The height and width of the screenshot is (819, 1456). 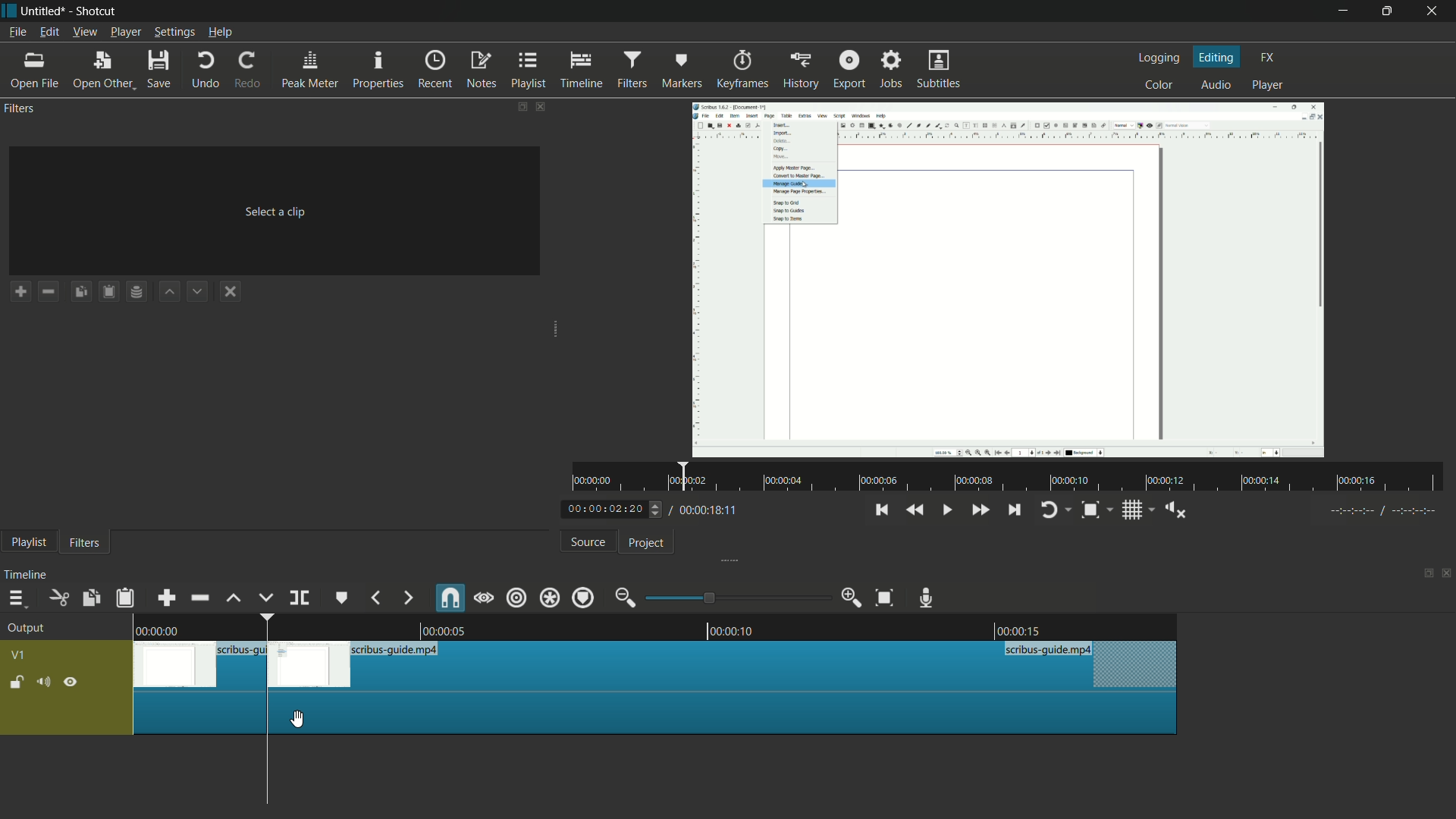 I want to click on close filters, so click(x=539, y=105).